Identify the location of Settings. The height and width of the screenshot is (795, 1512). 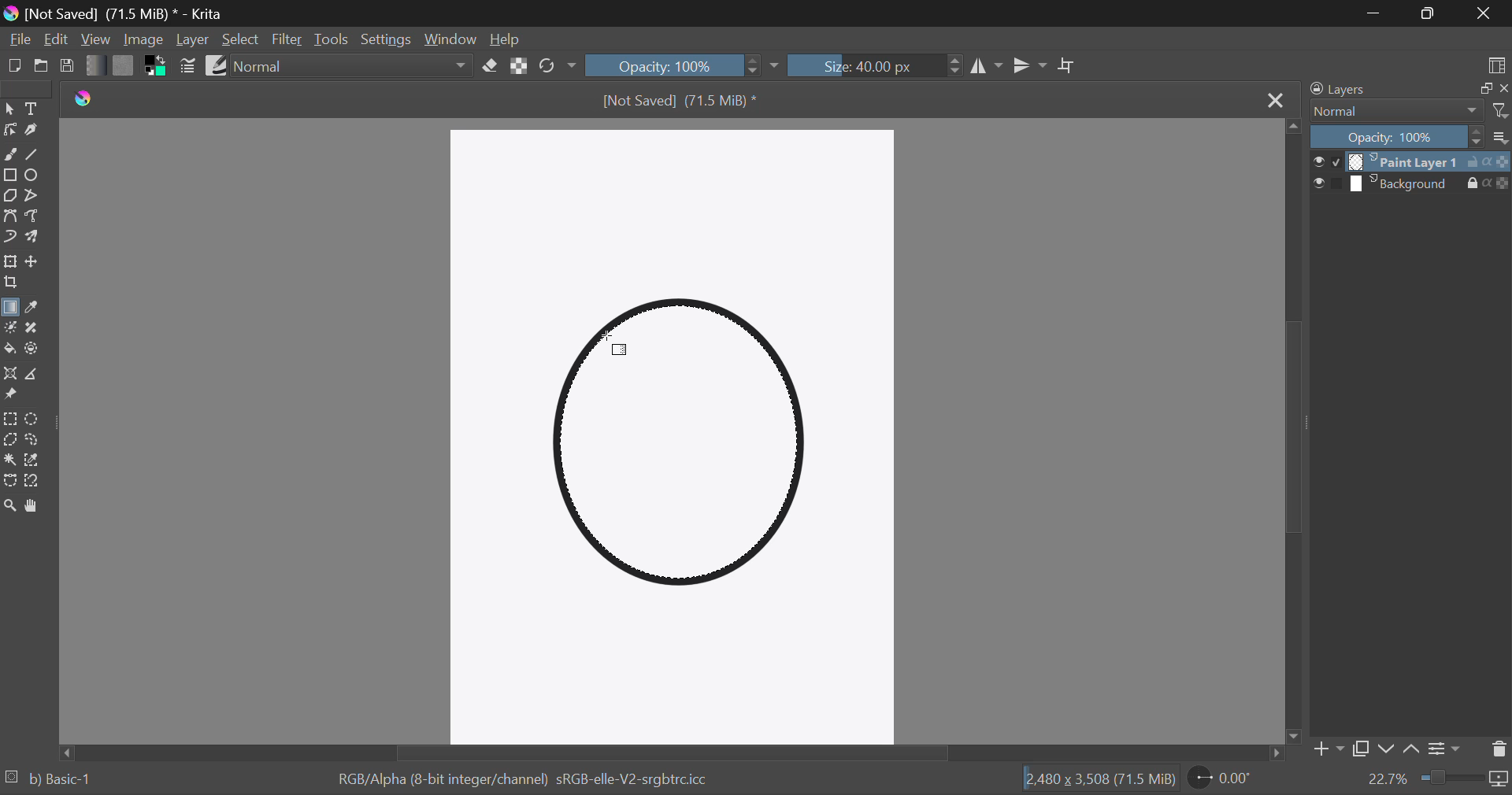
(1447, 749).